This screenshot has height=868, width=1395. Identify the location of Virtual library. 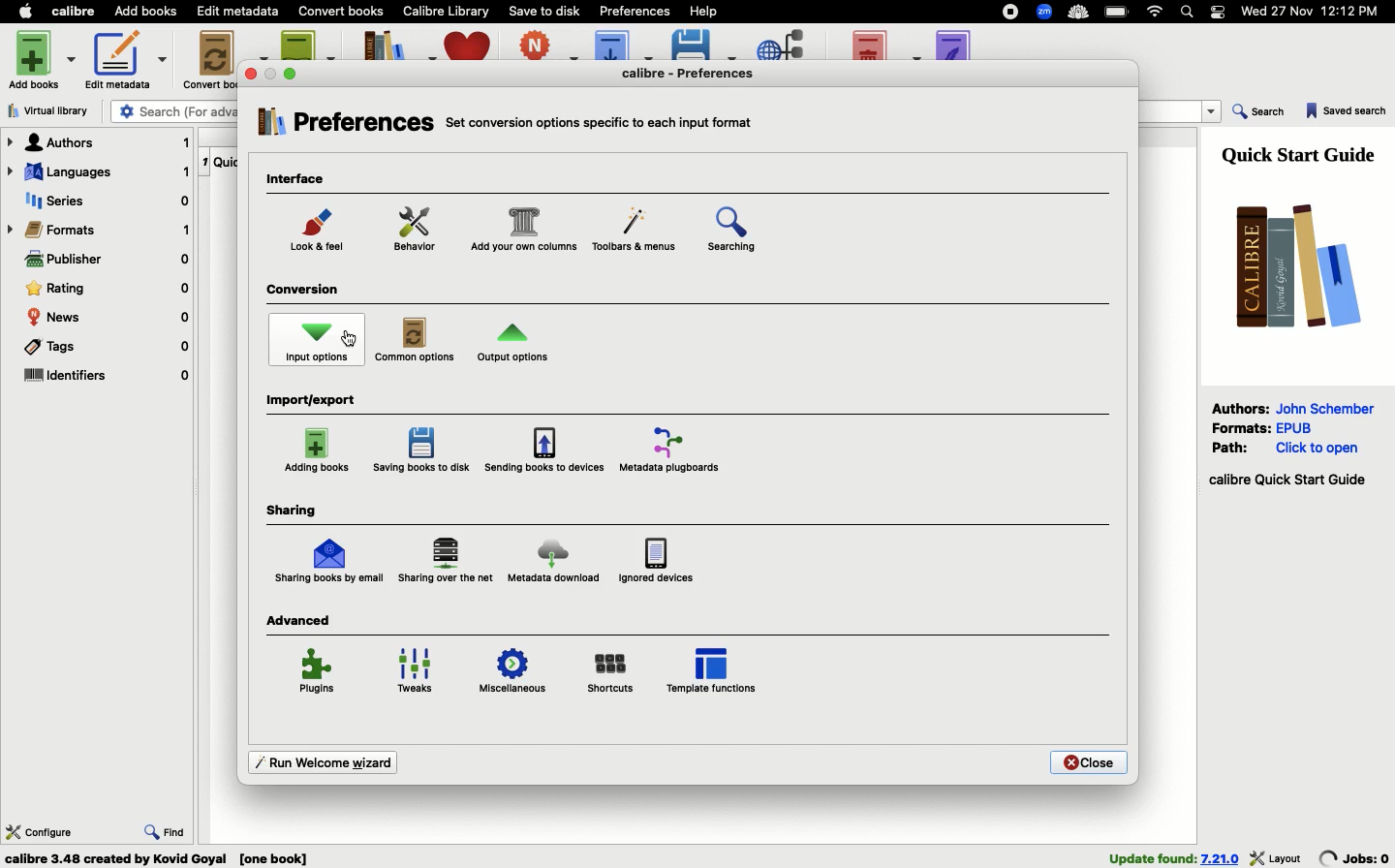
(54, 110).